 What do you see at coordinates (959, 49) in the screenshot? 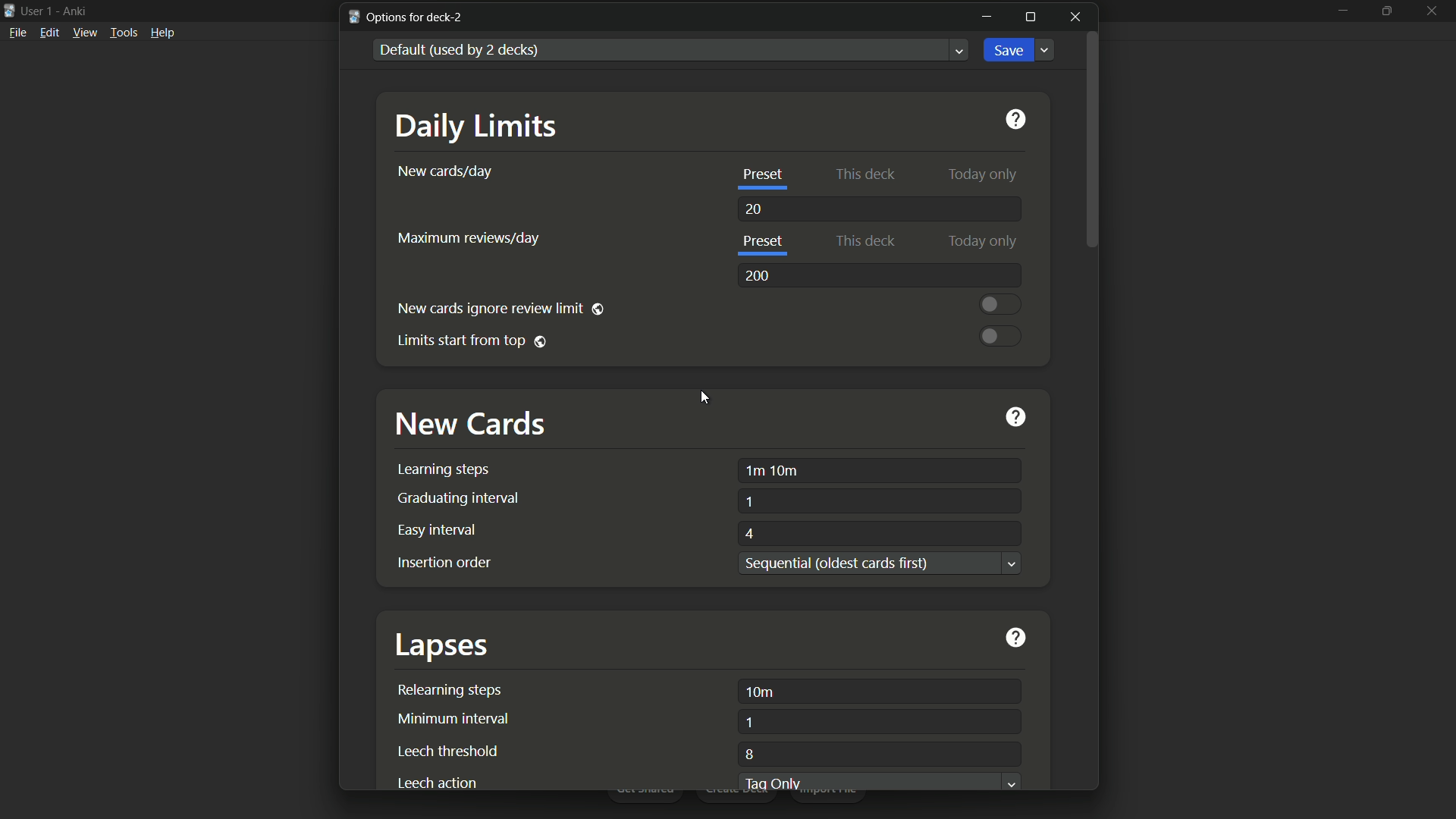
I see `Dropdown` at bounding box center [959, 49].